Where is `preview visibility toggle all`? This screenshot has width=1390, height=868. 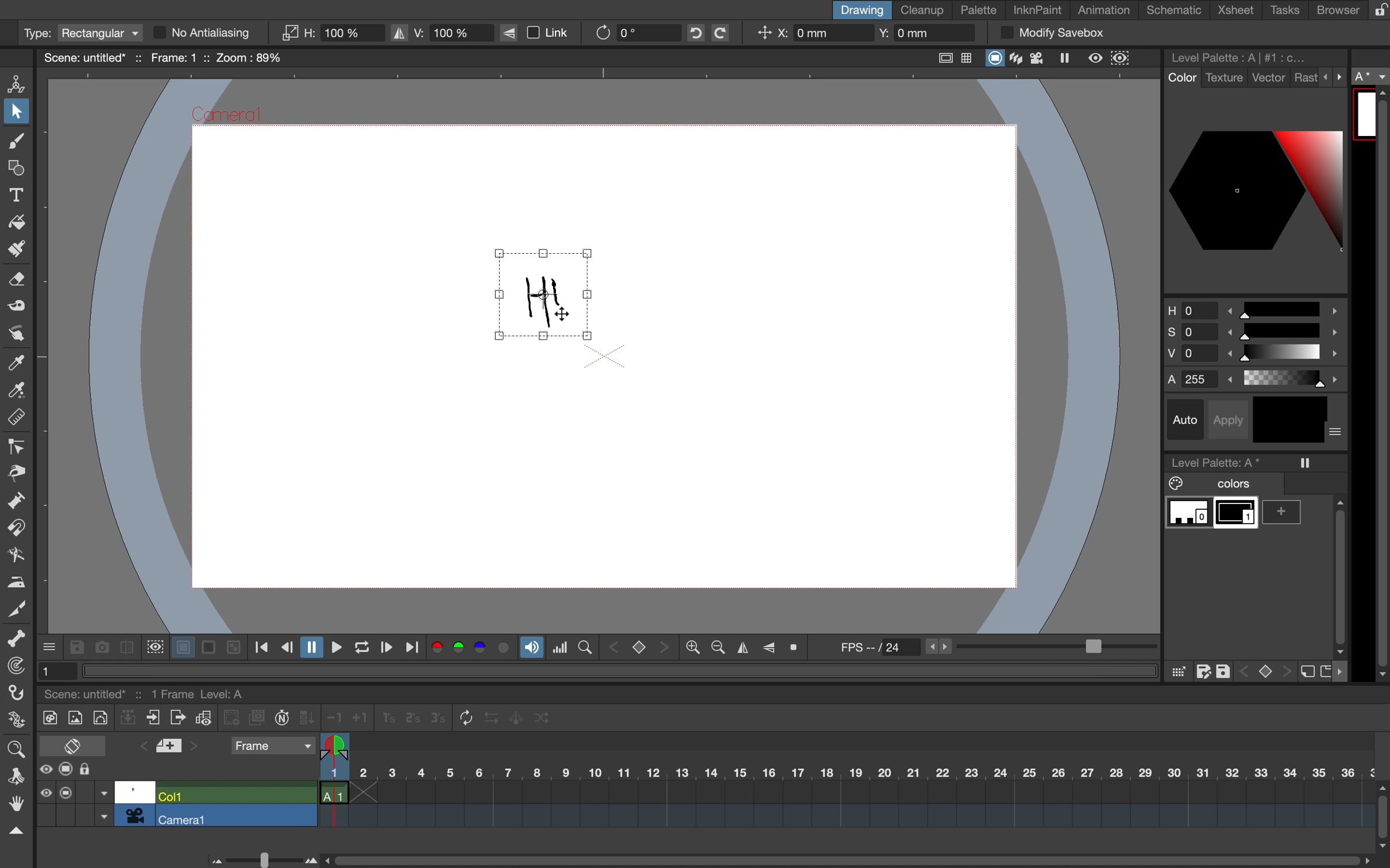
preview visibility toggle all is located at coordinates (45, 793).